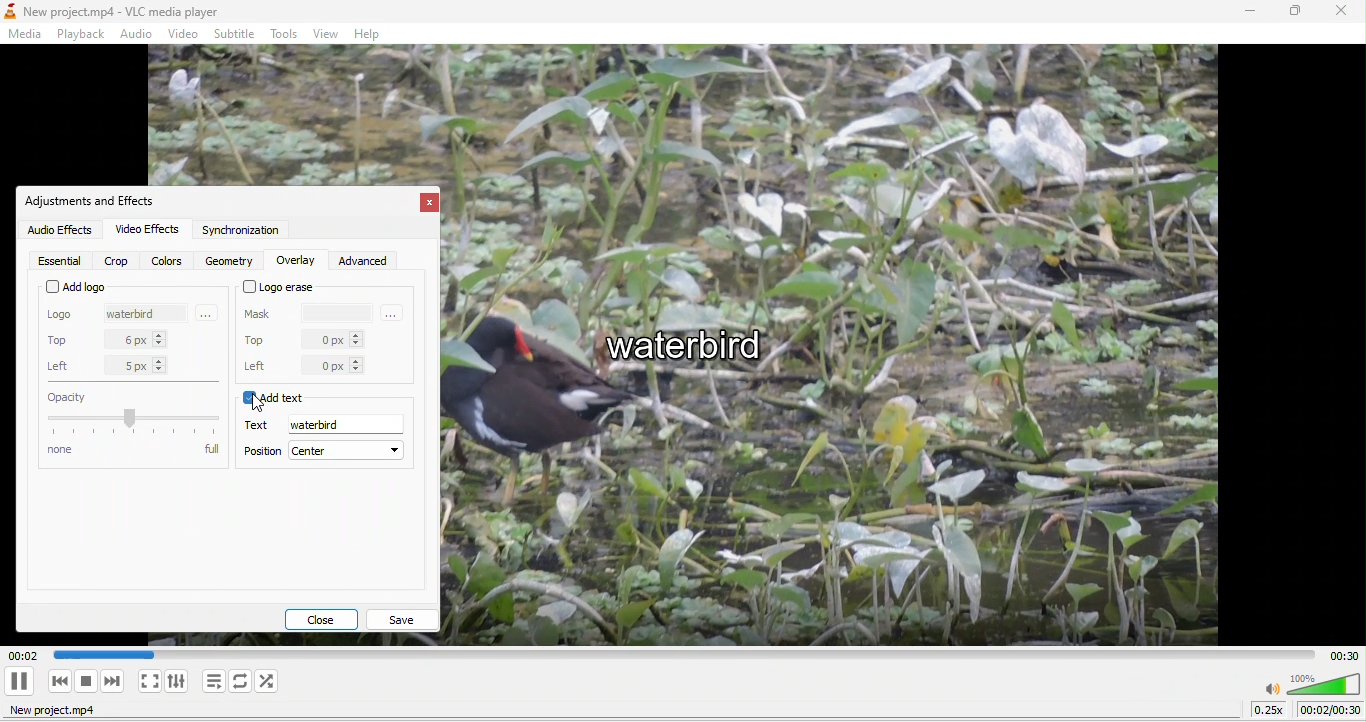 The height and width of the screenshot is (722, 1366). I want to click on left, so click(262, 365).